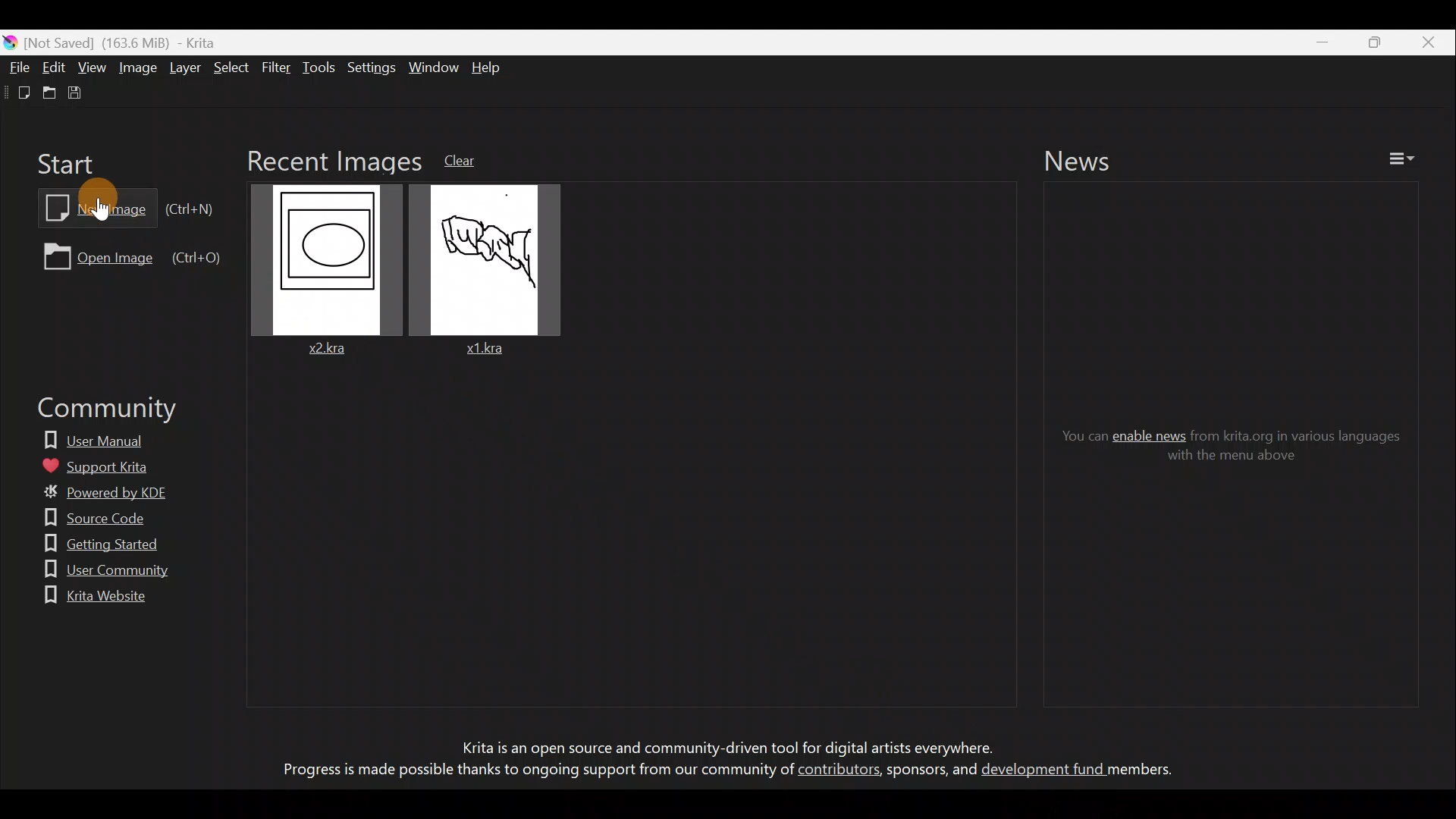  Describe the element at coordinates (46, 93) in the screenshot. I see `Open an existing document` at that location.